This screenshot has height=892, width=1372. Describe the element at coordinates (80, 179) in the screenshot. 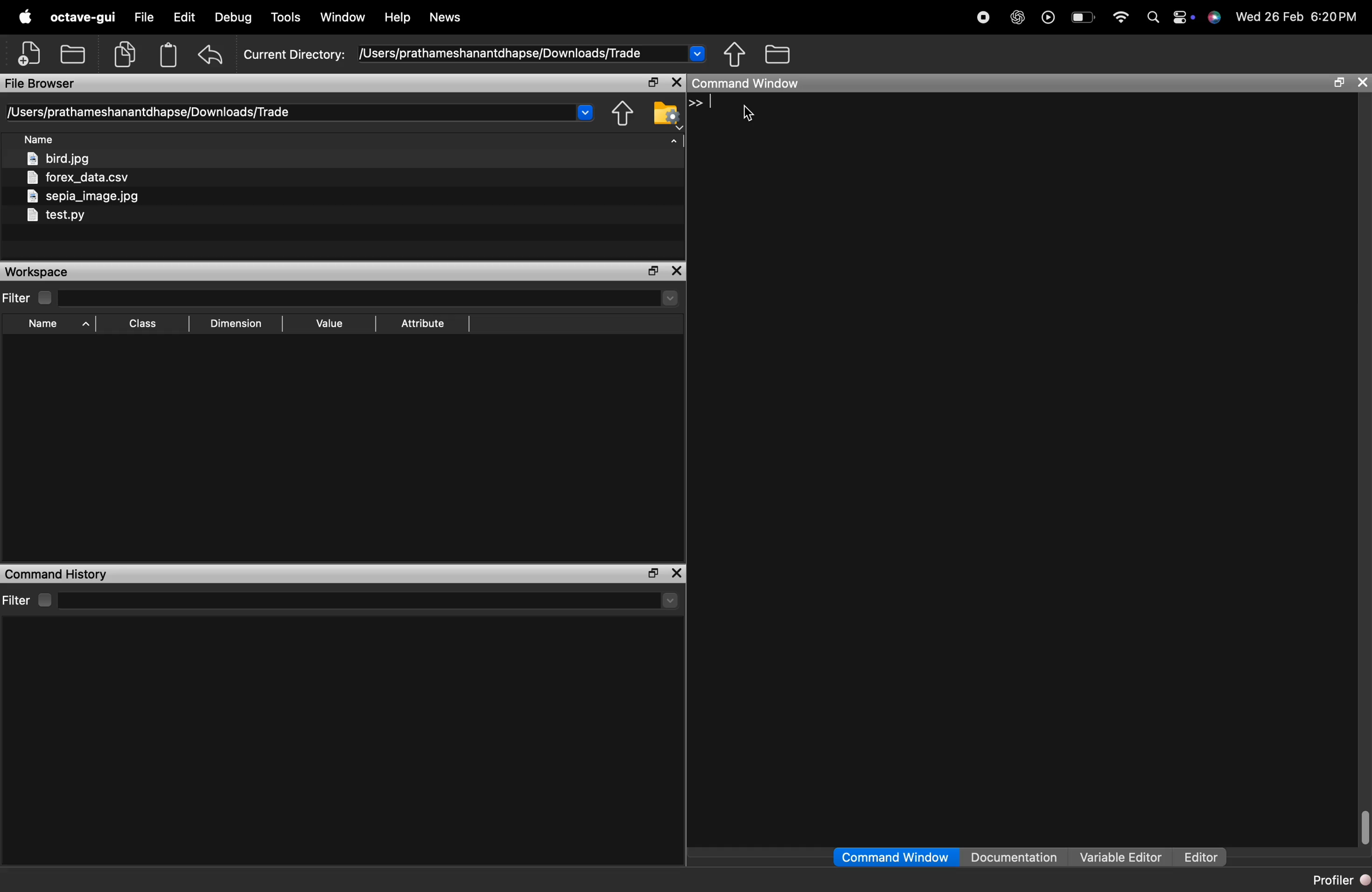

I see `forex_data.csv` at that location.